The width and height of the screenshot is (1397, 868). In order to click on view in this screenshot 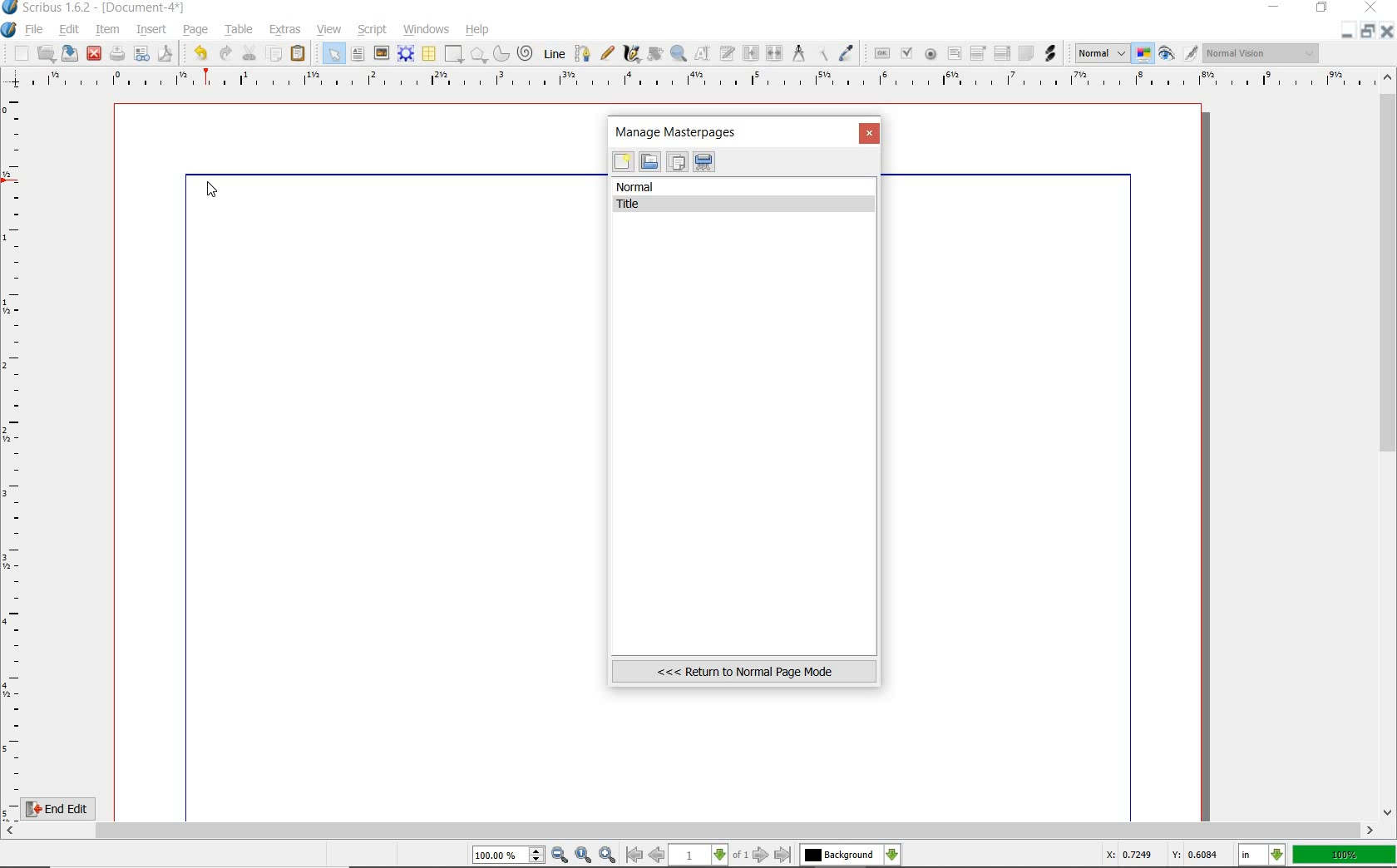, I will do `click(332, 30)`.